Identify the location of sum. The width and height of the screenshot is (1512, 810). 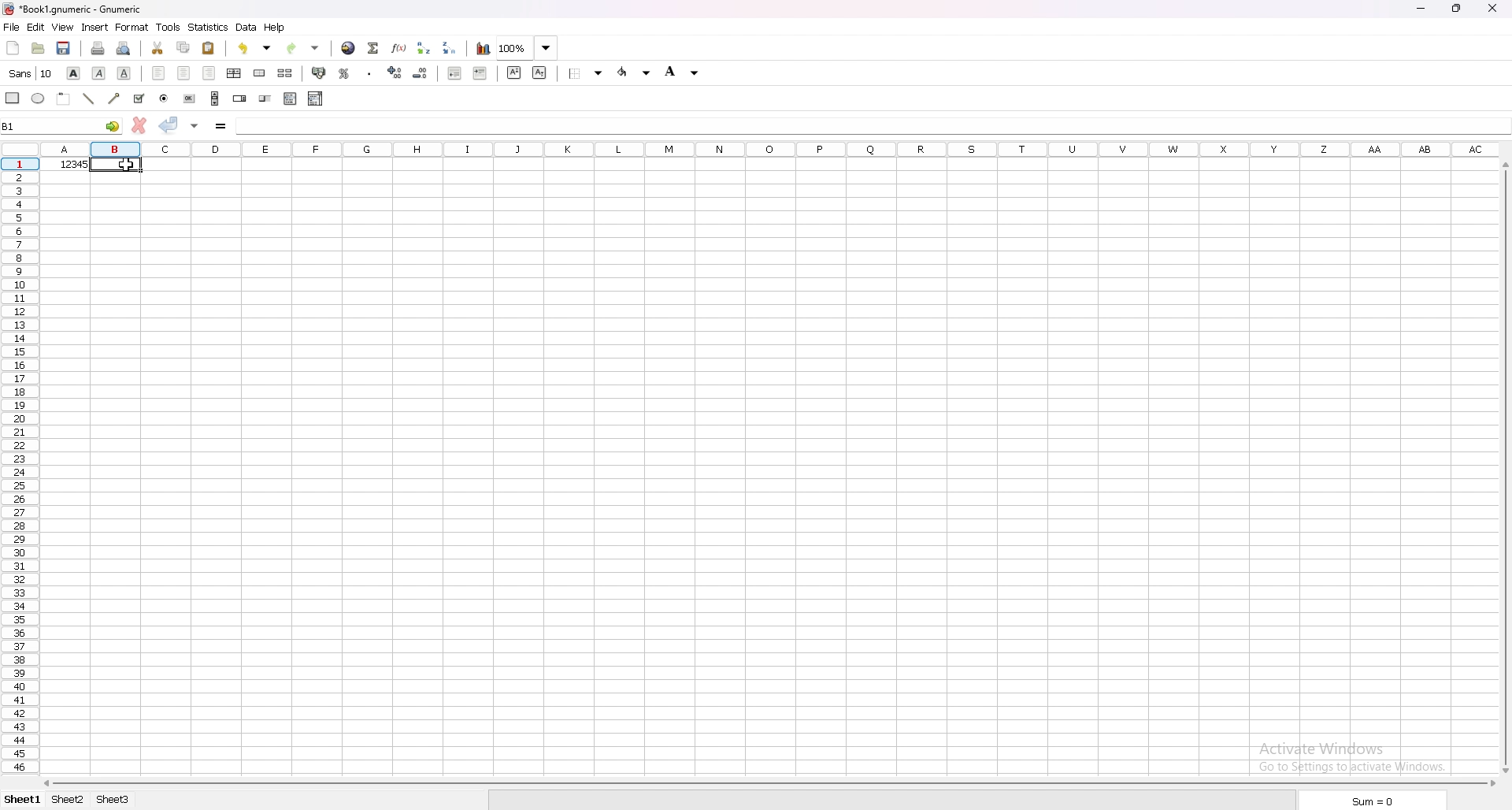
(1375, 801).